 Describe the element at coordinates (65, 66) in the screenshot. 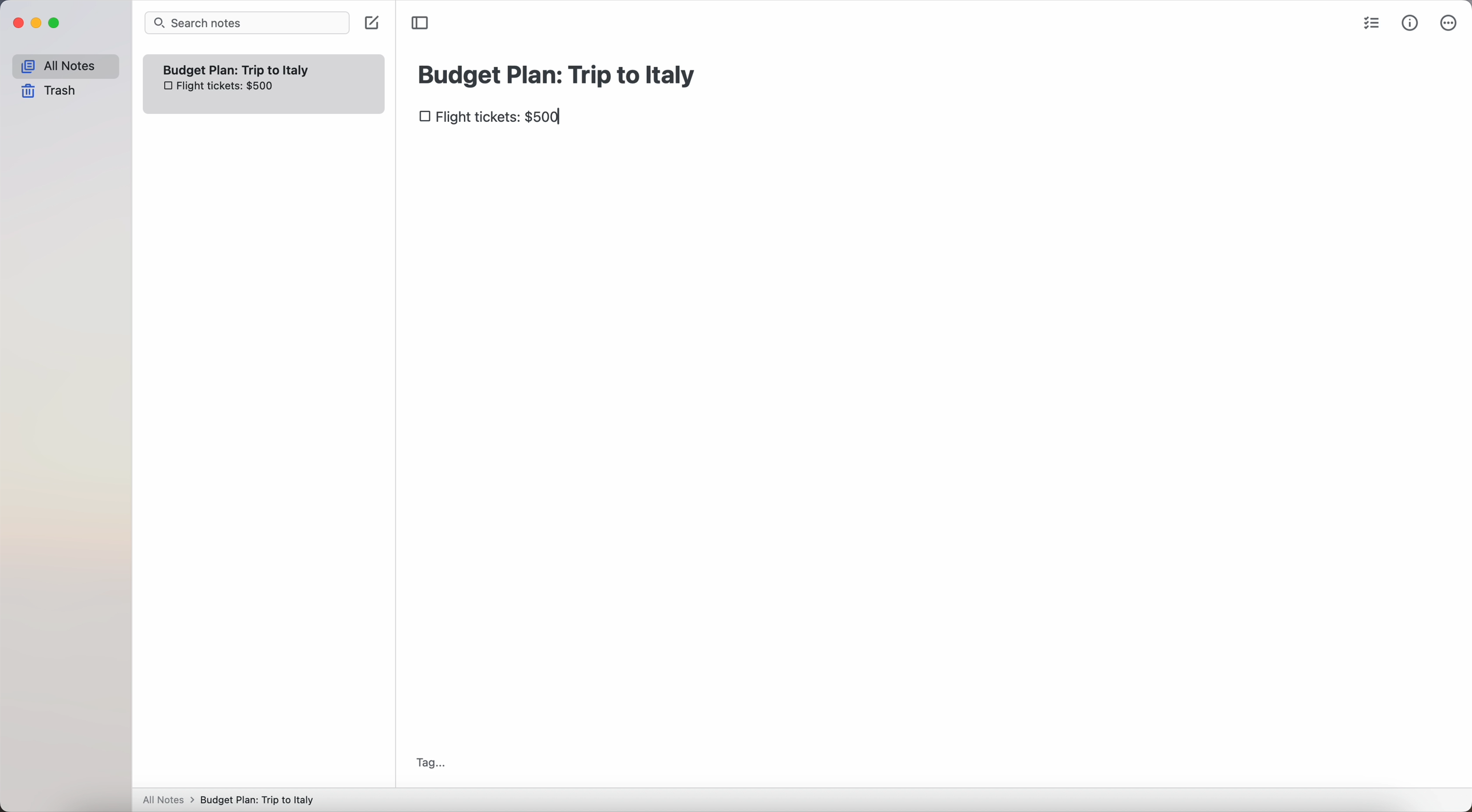

I see `all notes` at that location.